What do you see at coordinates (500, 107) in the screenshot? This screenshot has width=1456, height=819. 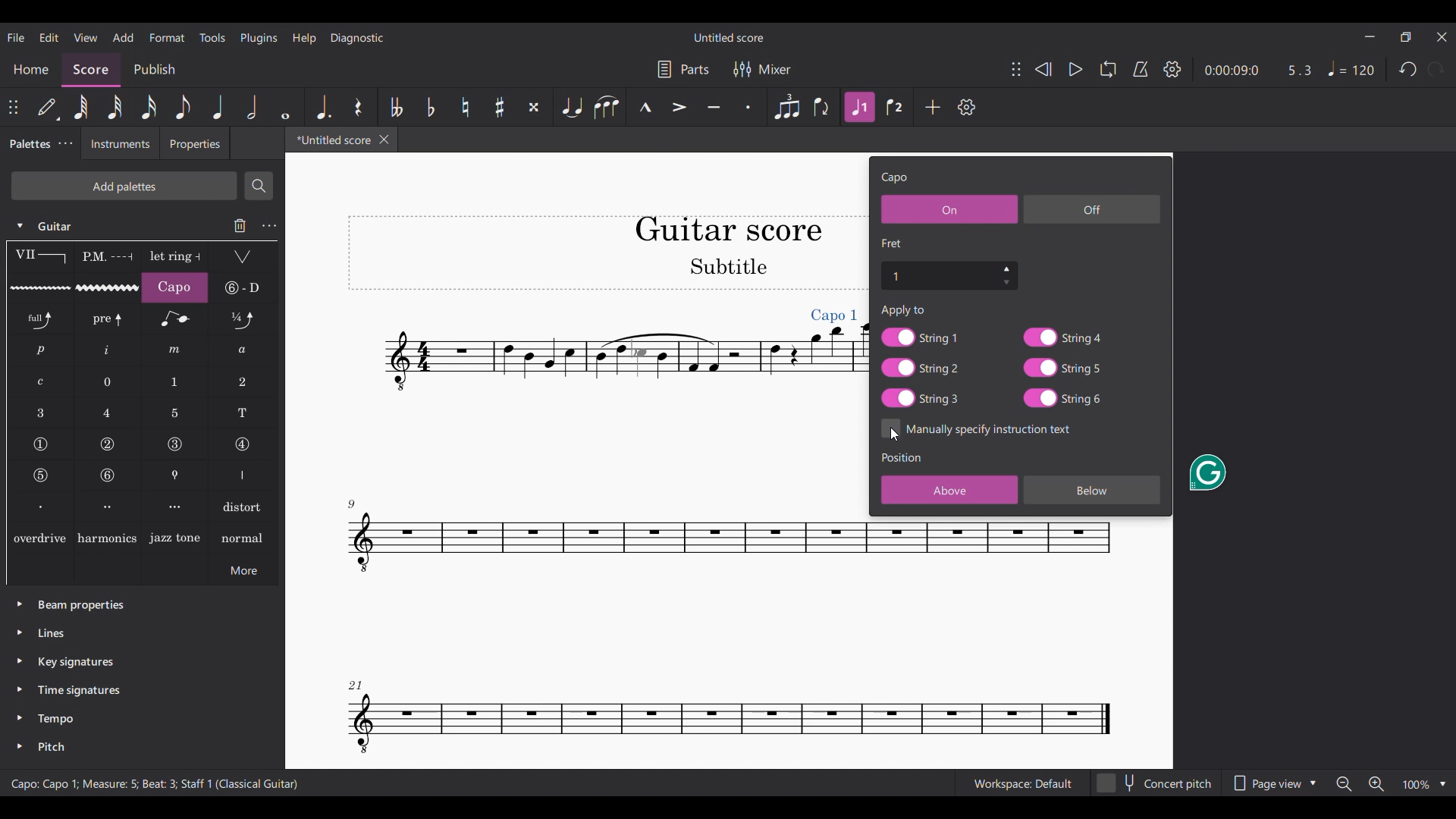 I see `Toggle sharp` at bounding box center [500, 107].